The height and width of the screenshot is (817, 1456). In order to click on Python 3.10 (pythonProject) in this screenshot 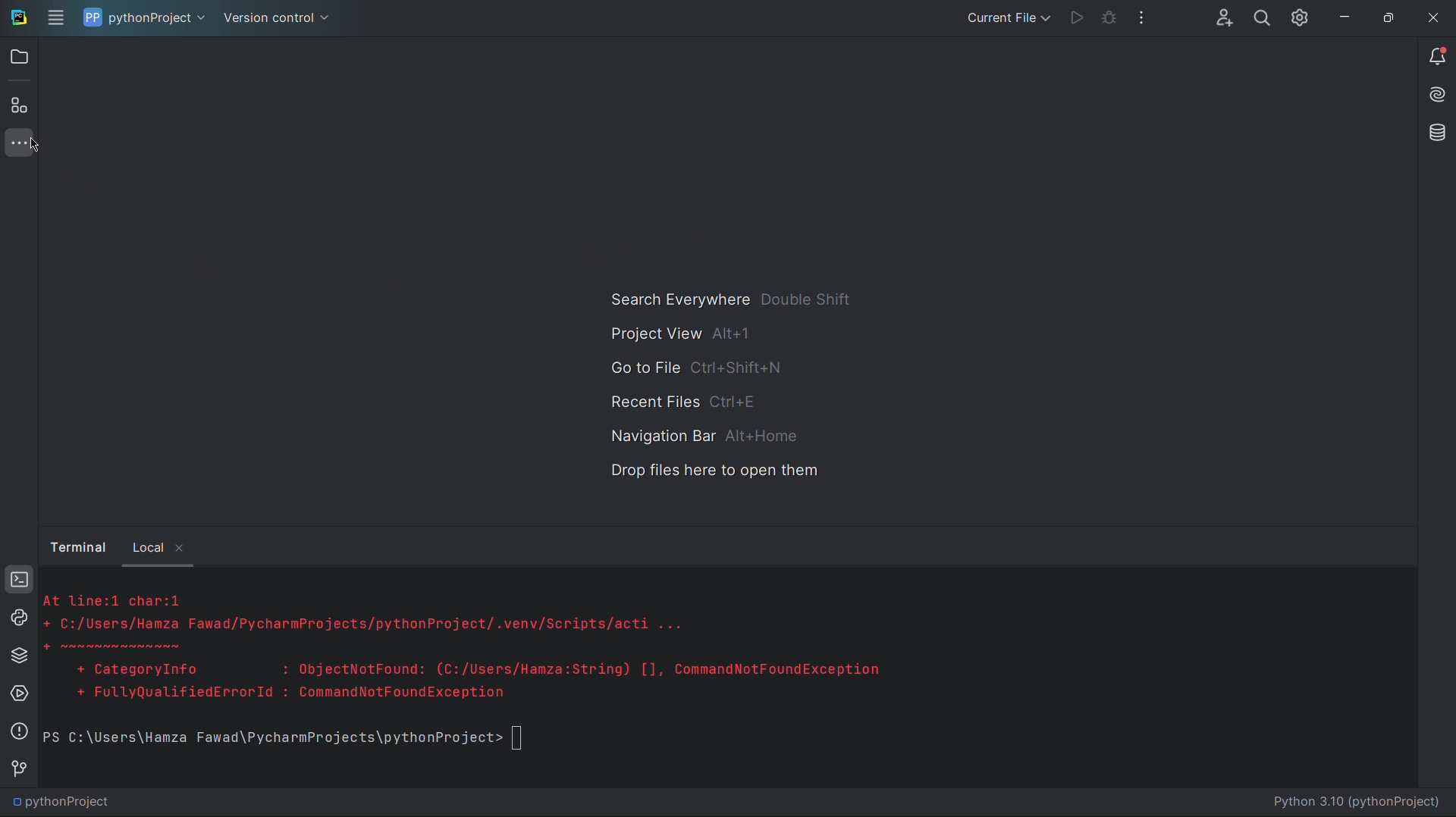, I will do `click(1362, 803)`.